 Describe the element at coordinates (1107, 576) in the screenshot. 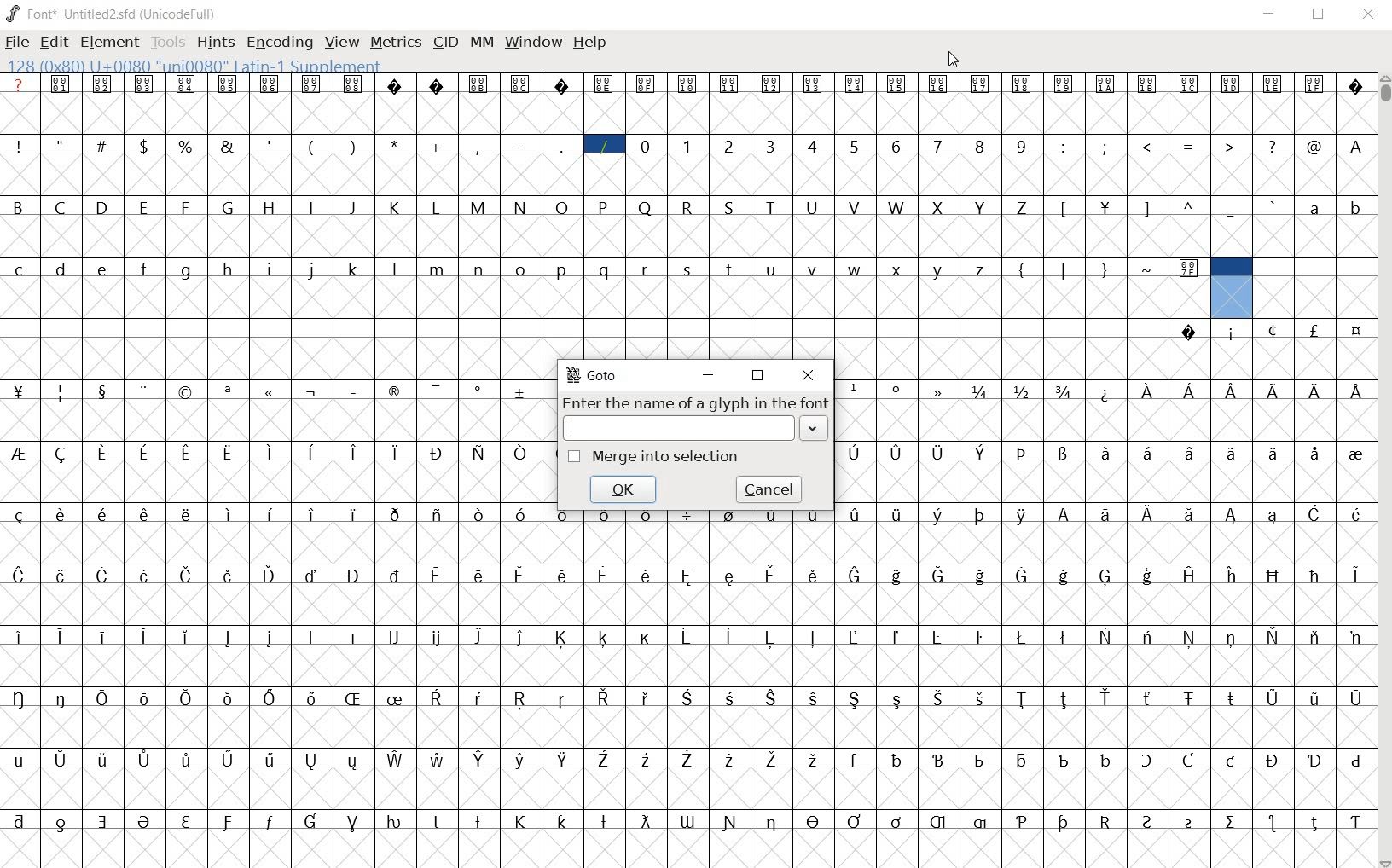

I see `Symbol` at that location.